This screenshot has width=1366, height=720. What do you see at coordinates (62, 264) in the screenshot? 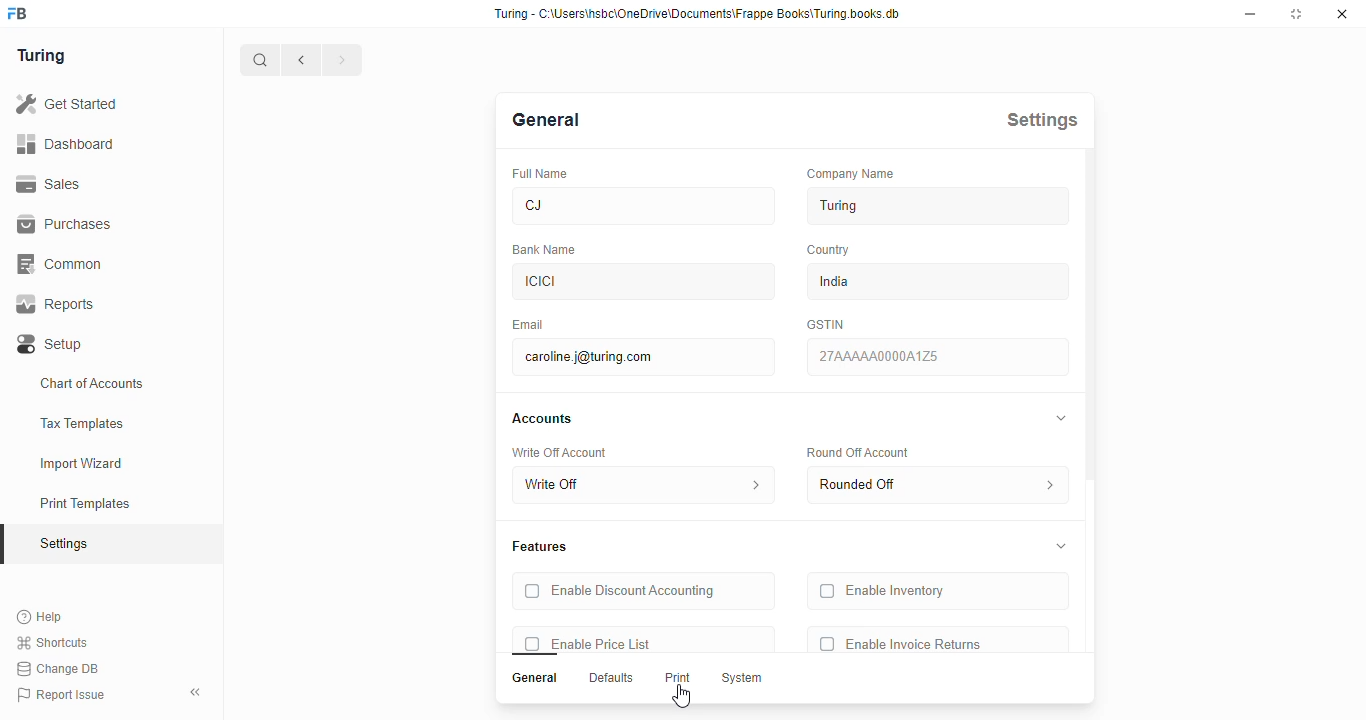
I see `common` at bounding box center [62, 264].